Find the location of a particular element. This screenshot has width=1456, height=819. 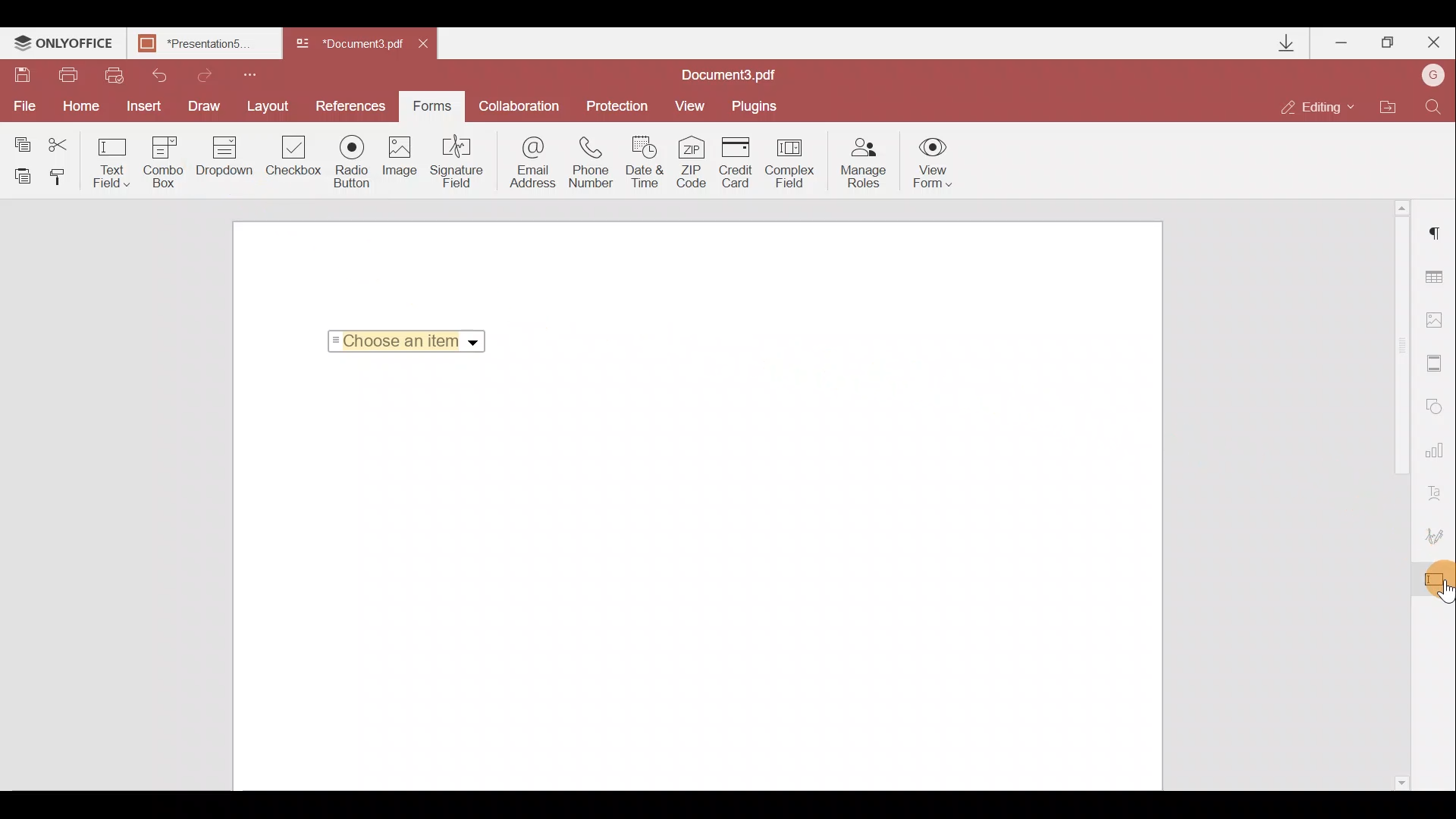

Home is located at coordinates (85, 107).